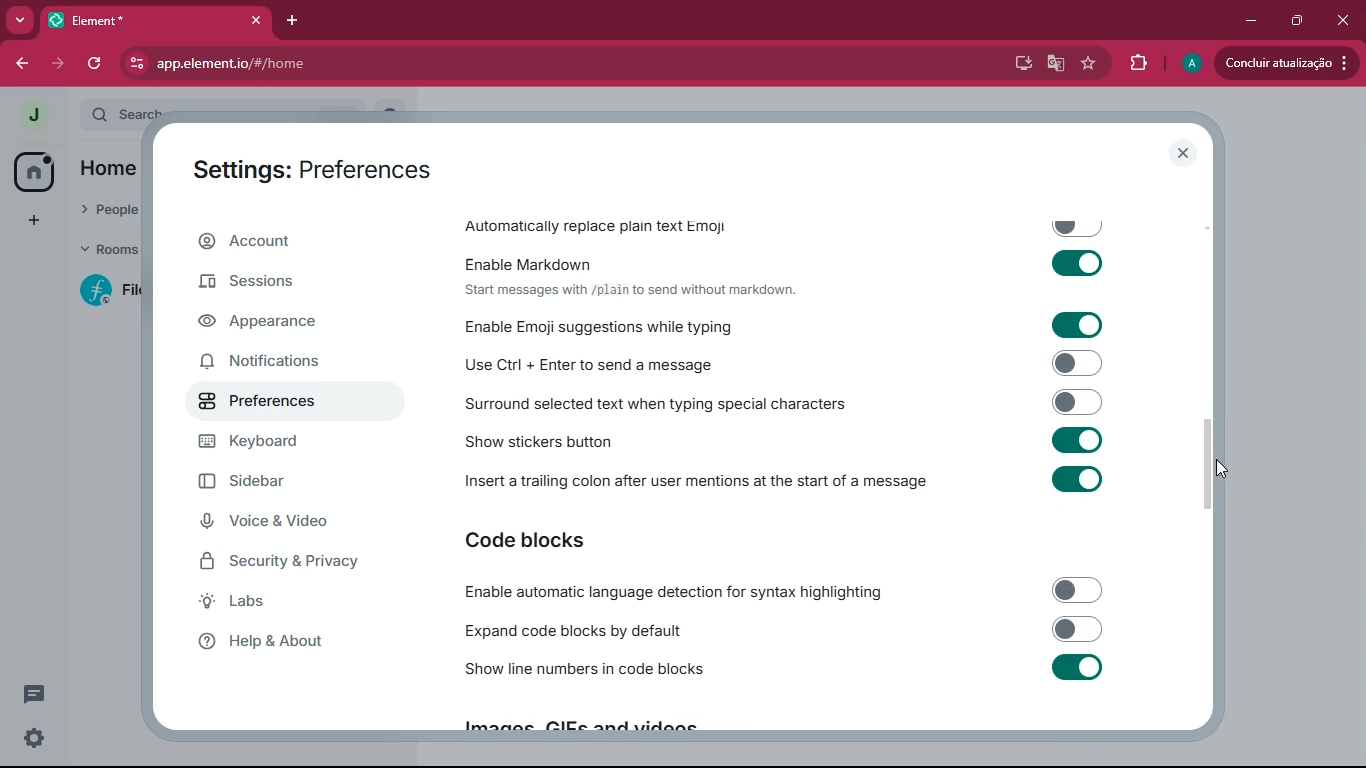 This screenshot has width=1366, height=768. I want to click on settings, so click(35, 739).